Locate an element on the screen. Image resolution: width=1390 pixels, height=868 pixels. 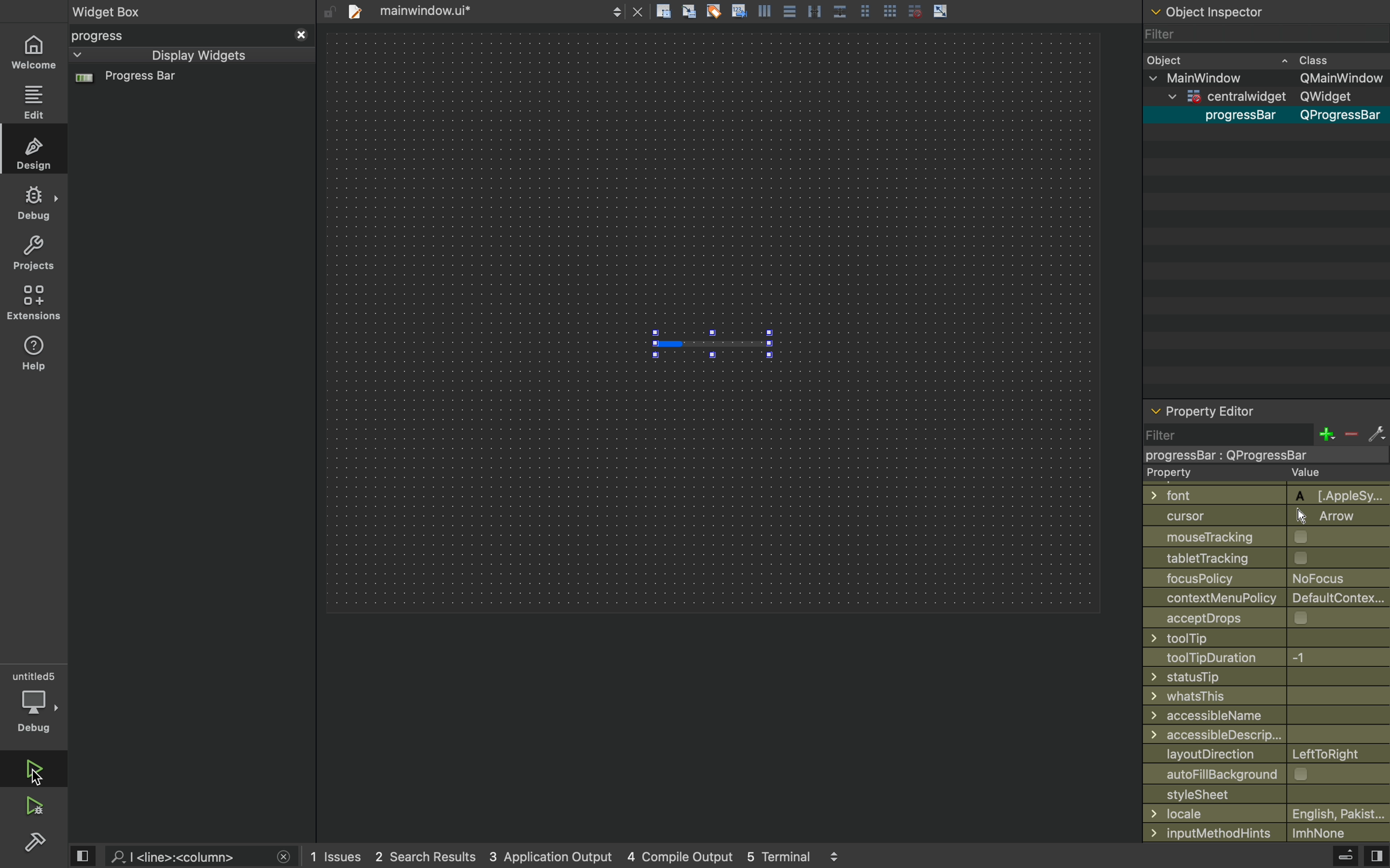
inputmethodhints is located at coordinates (1265, 831).